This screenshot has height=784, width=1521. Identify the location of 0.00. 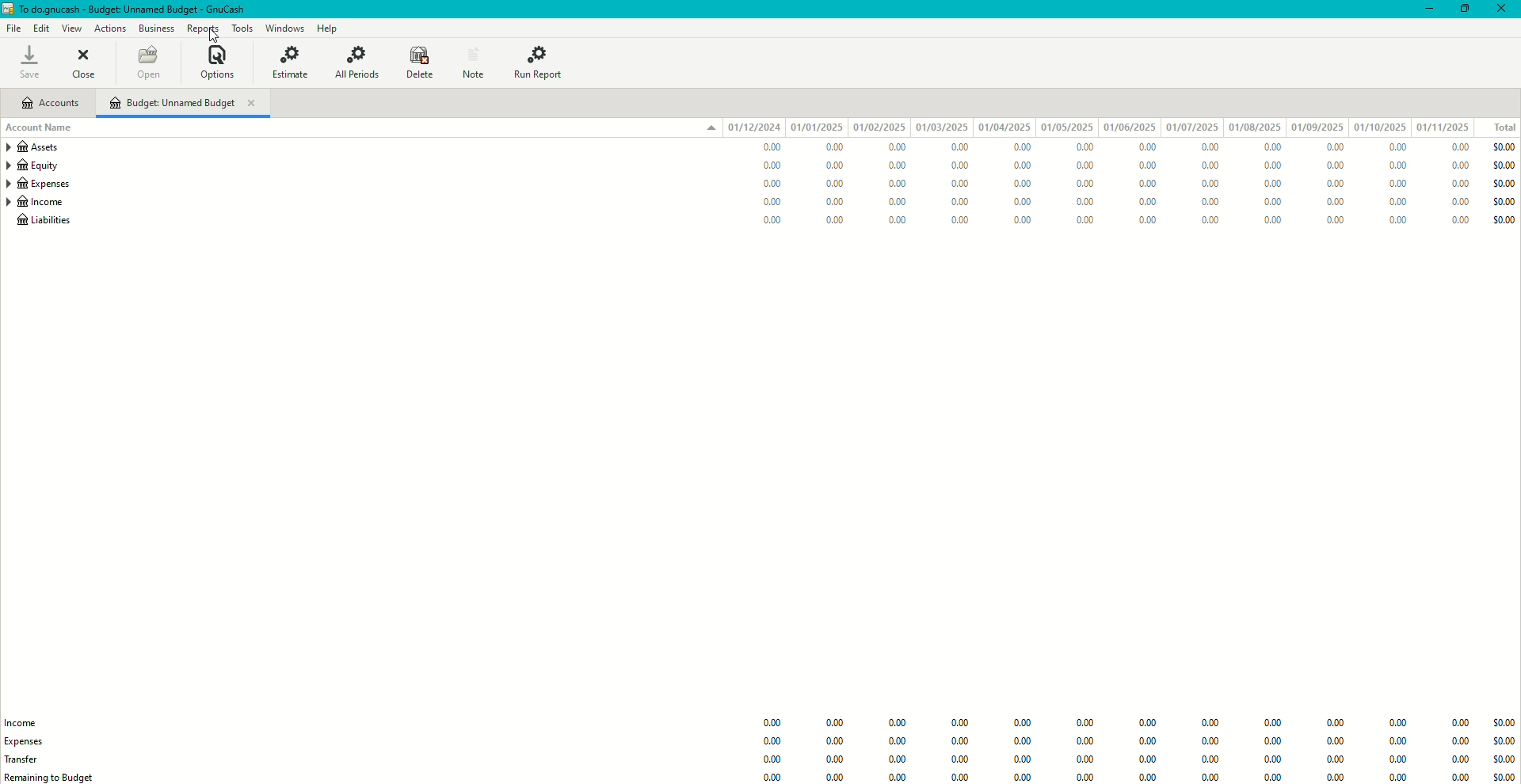
(1271, 185).